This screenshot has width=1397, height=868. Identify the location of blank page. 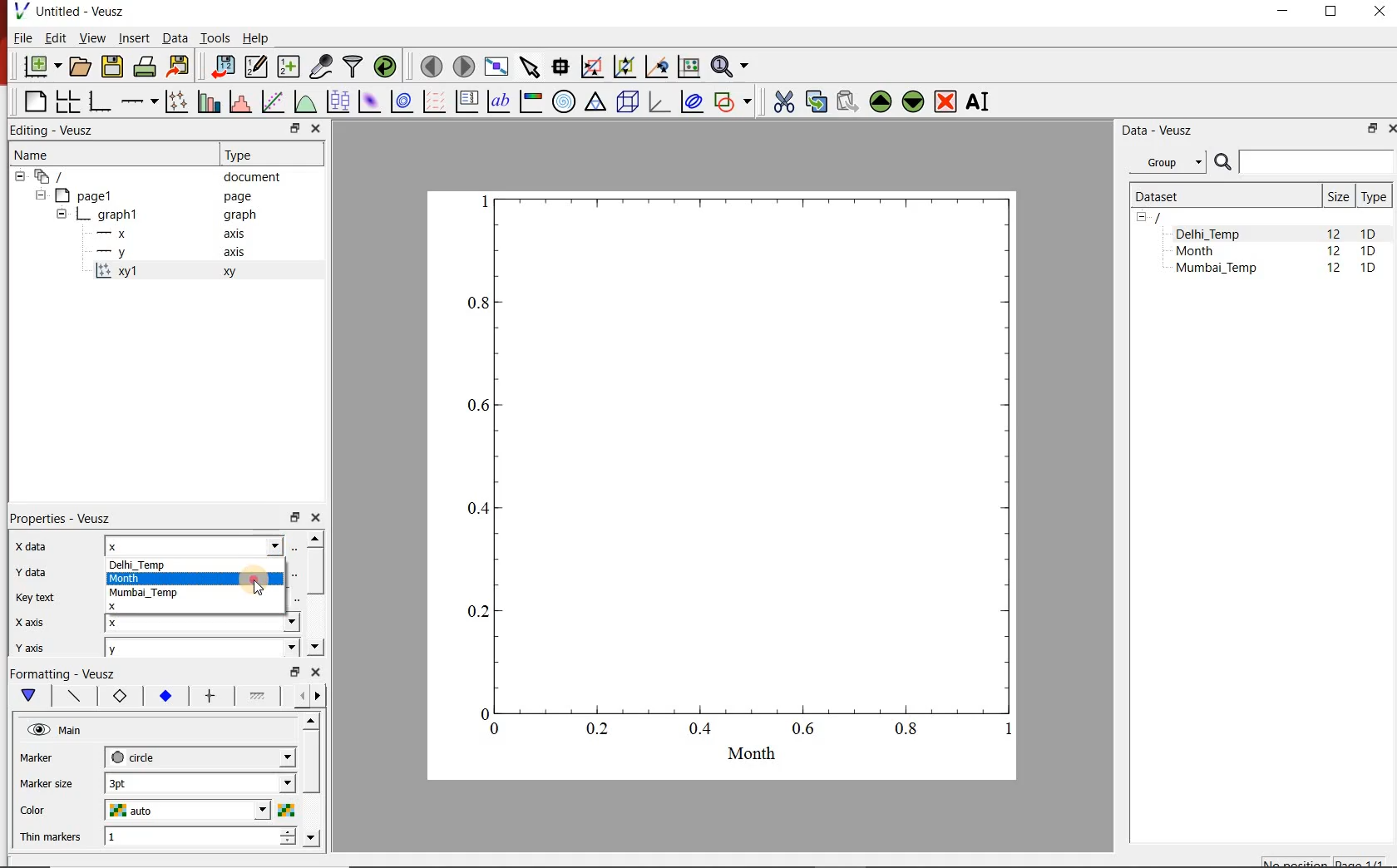
(32, 101).